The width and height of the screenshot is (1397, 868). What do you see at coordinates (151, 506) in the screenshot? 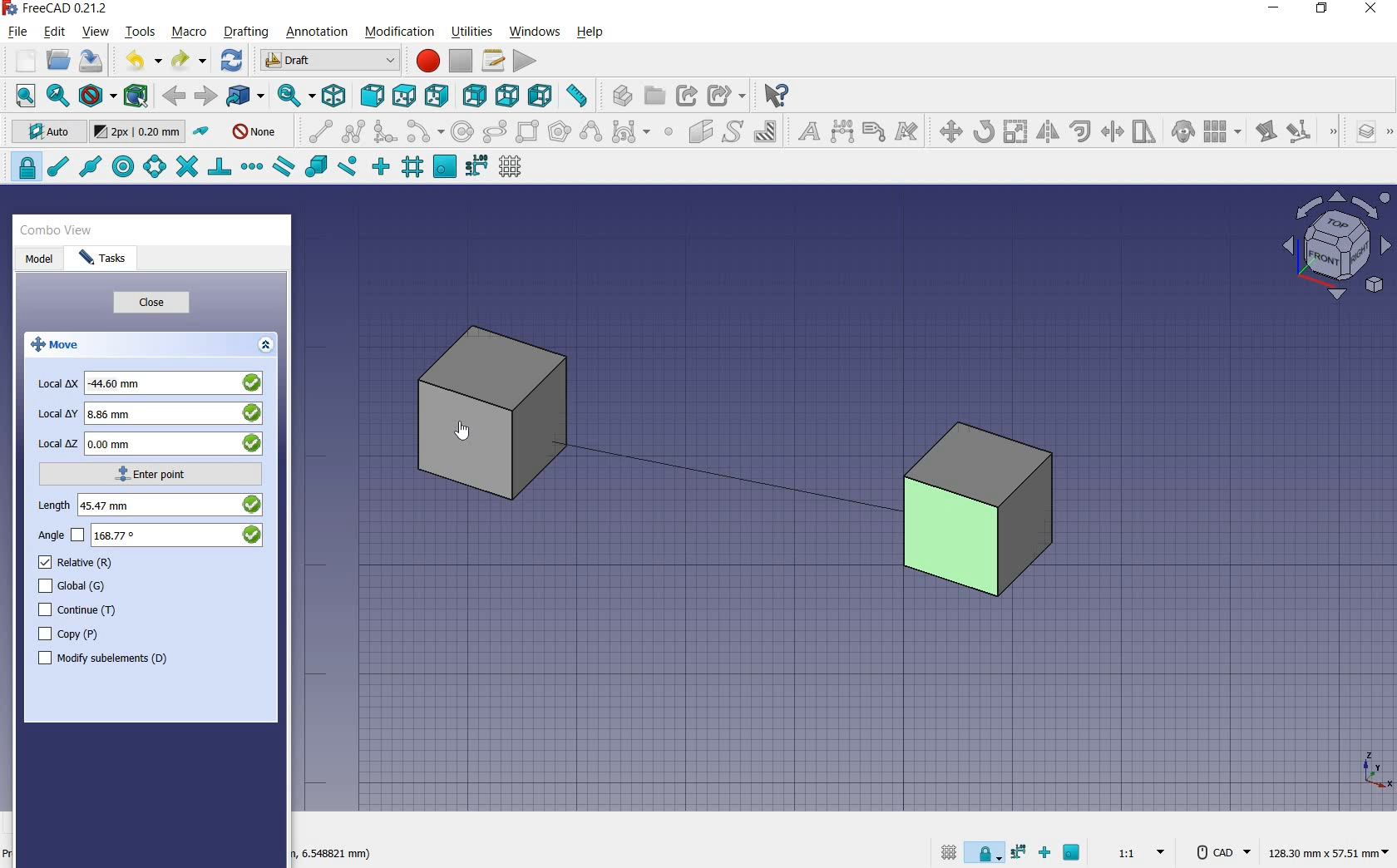
I see `length` at bounding box center [151, 506].